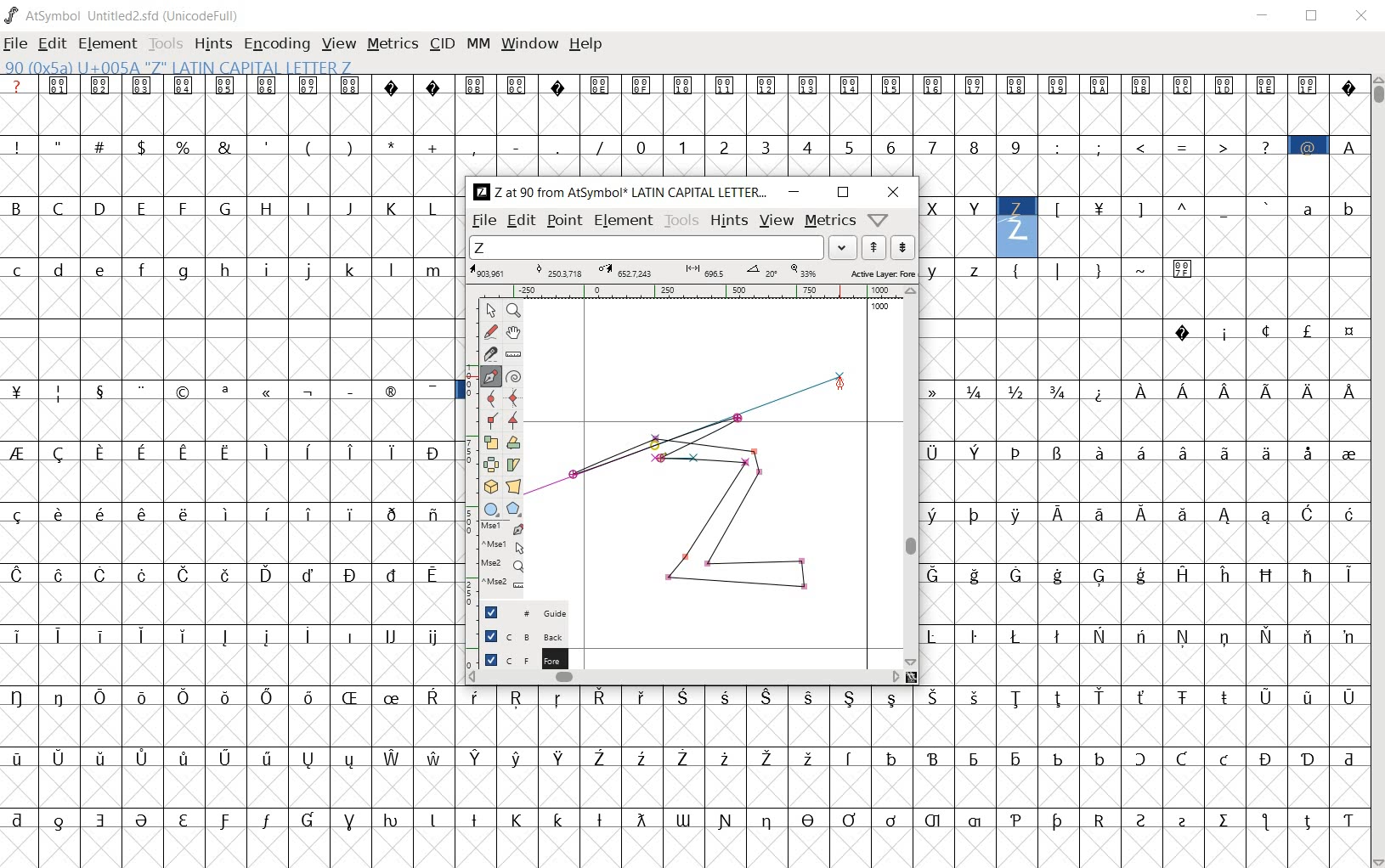 The width and height of the screenshot is (1385, 868). Describe the element at coordinates (513, 444) in the screenshot. I see `Rotate the selection` at that location.